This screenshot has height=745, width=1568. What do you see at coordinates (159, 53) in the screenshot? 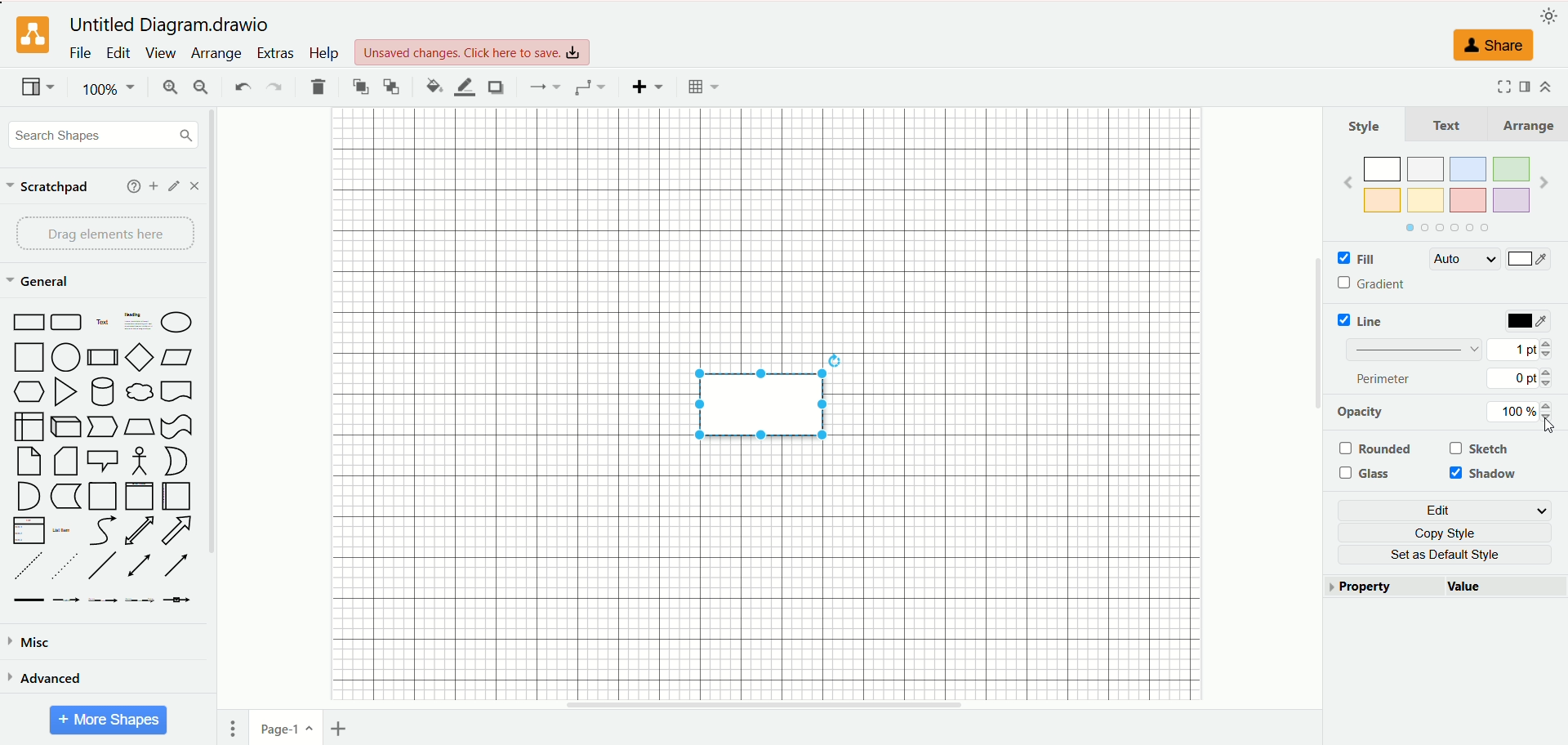
I see `view` at bounding box center [159, 53].